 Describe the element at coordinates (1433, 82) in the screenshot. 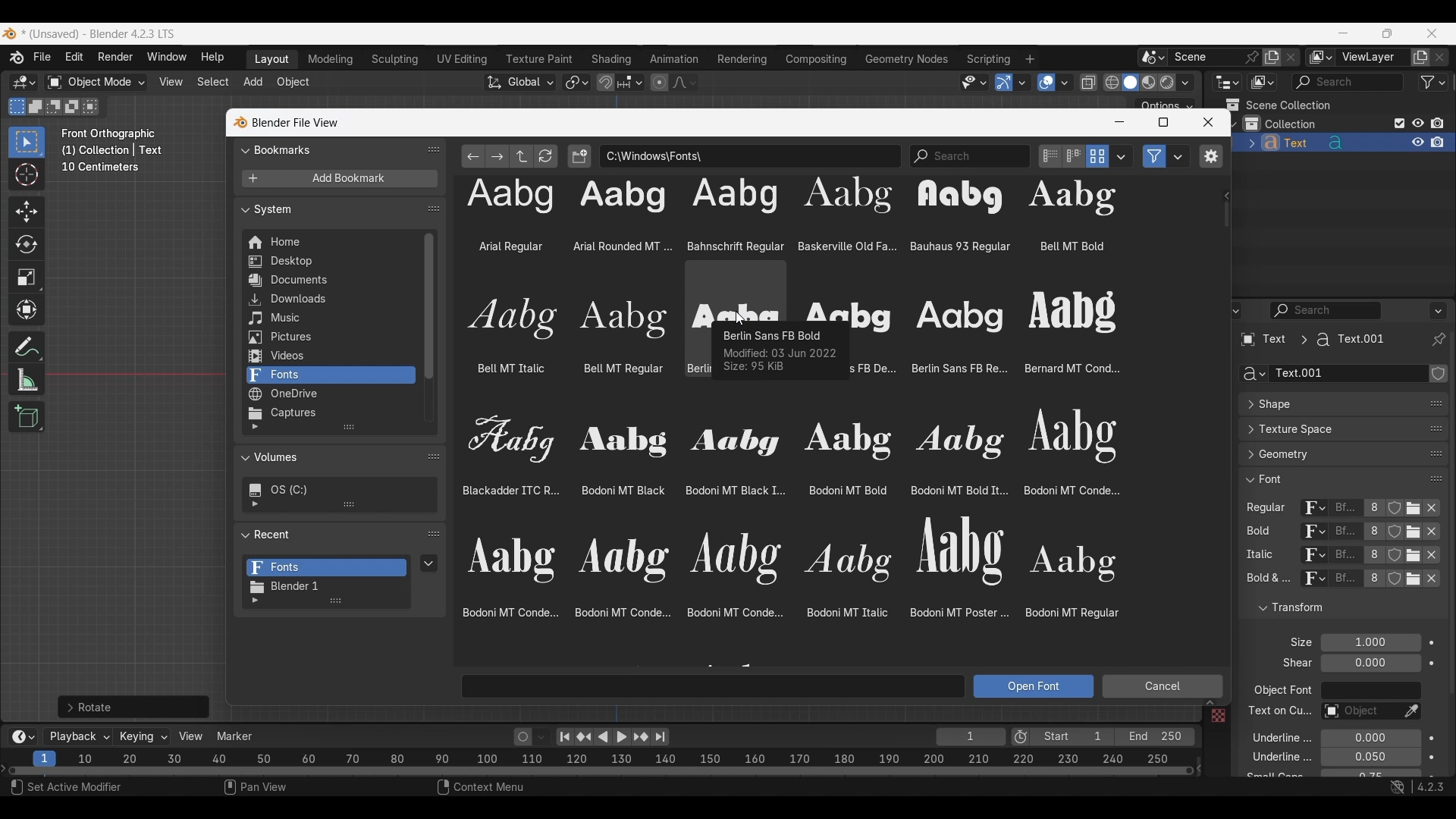

I see `Filter` at that location.